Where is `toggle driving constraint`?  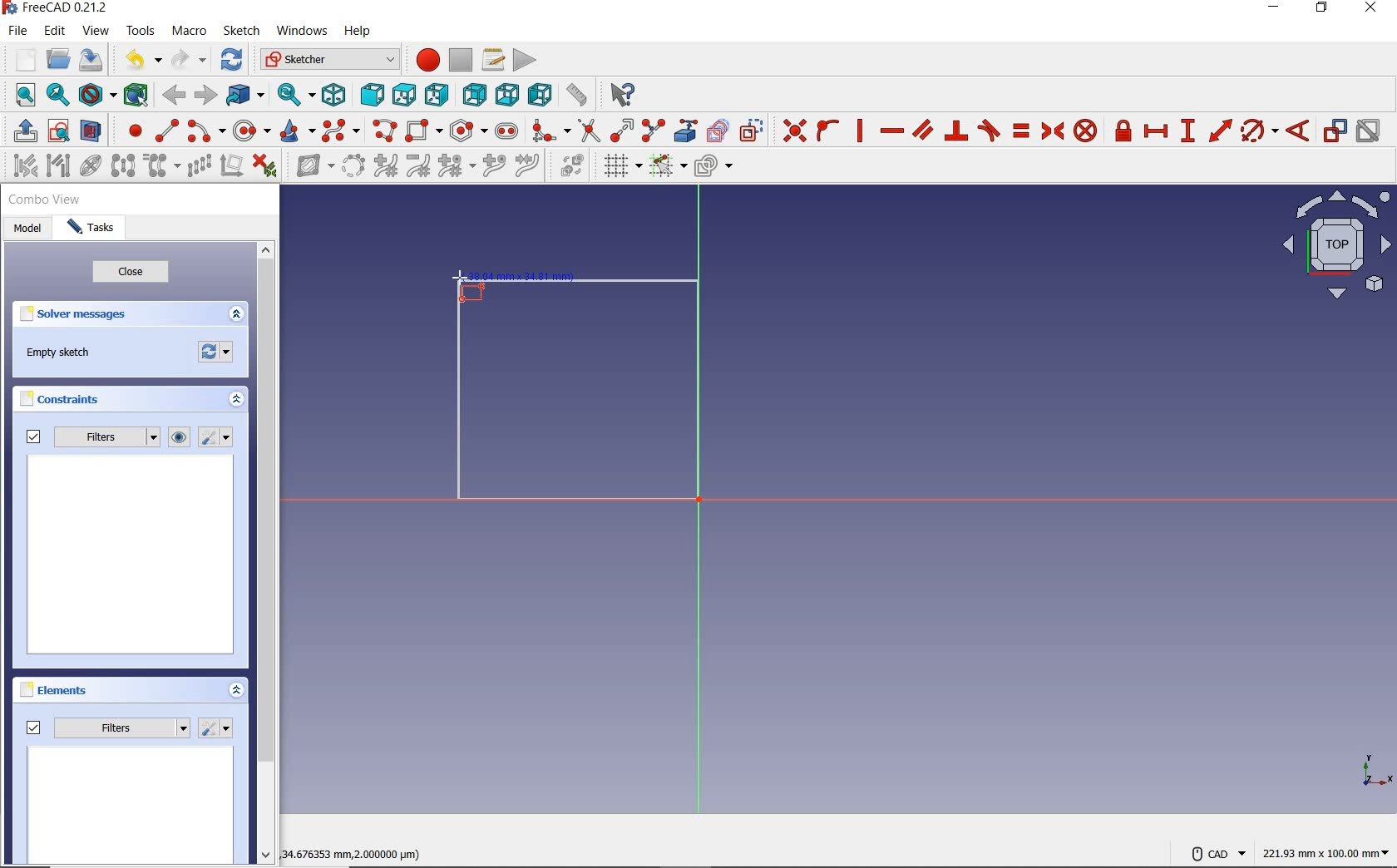
toggle driving constraint is located at coordinates (1335, 131).